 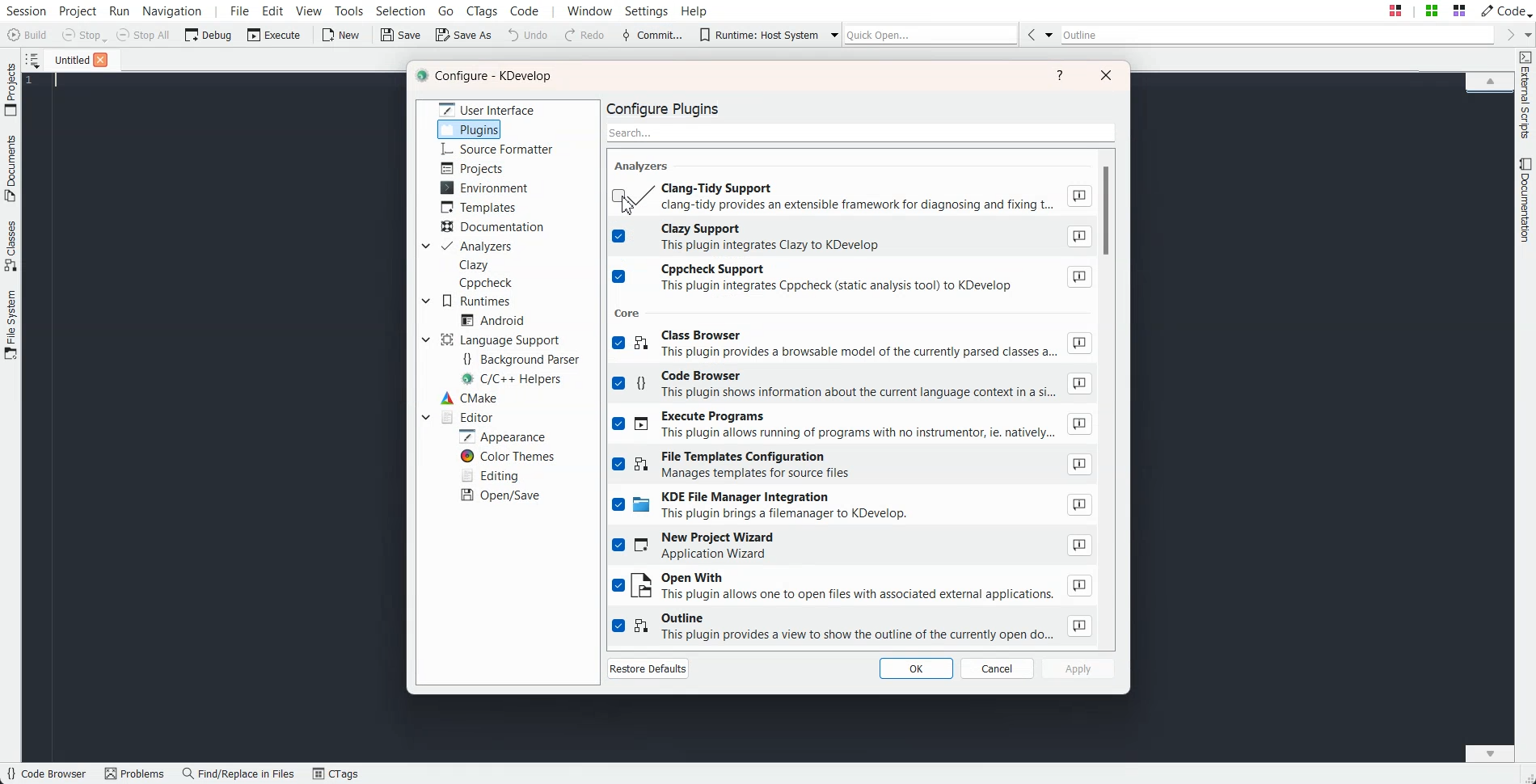 I want to click on Drop down box, so click(x=425, y=339).